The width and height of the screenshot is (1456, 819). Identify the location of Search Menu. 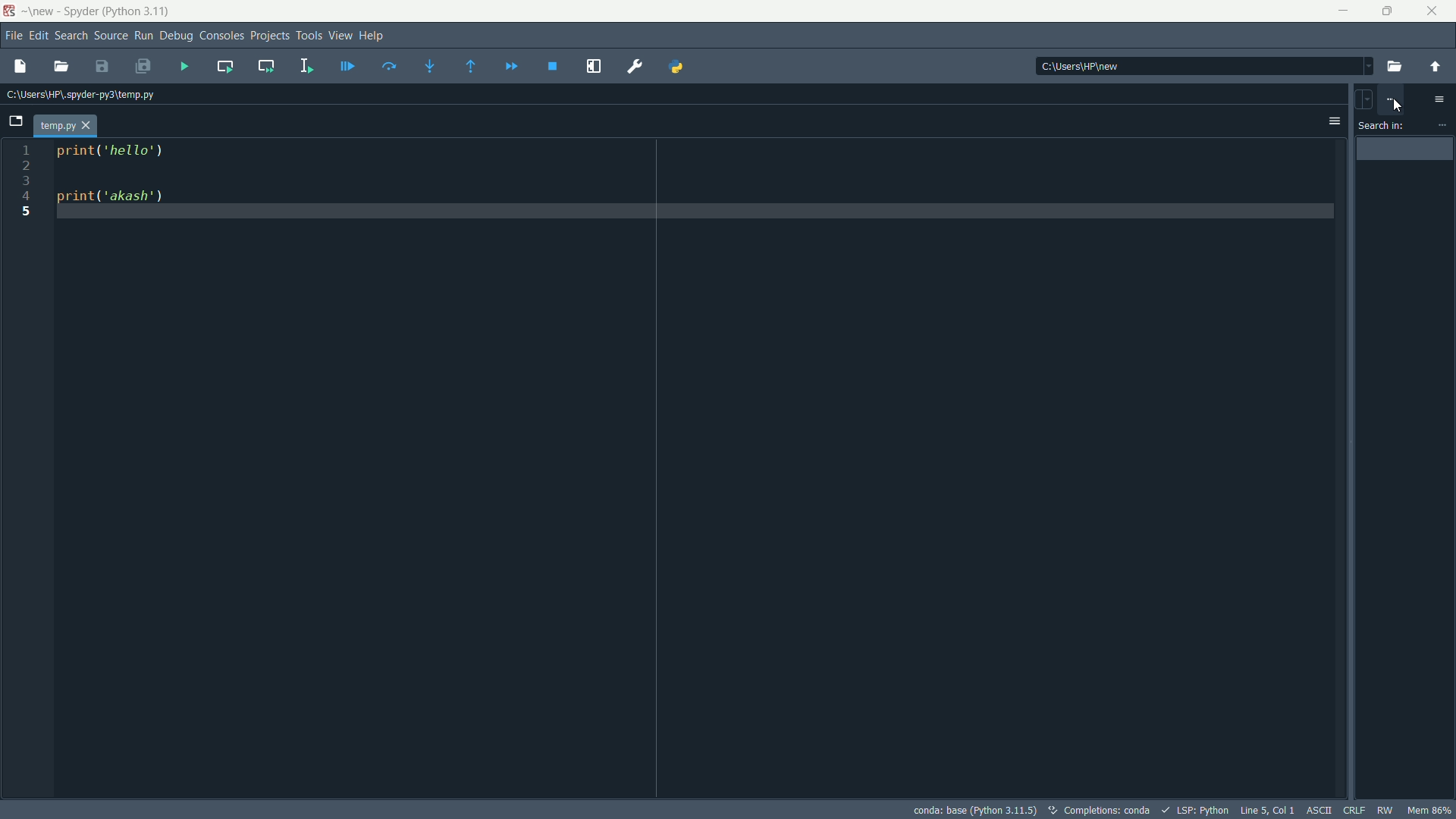
(69, 34).